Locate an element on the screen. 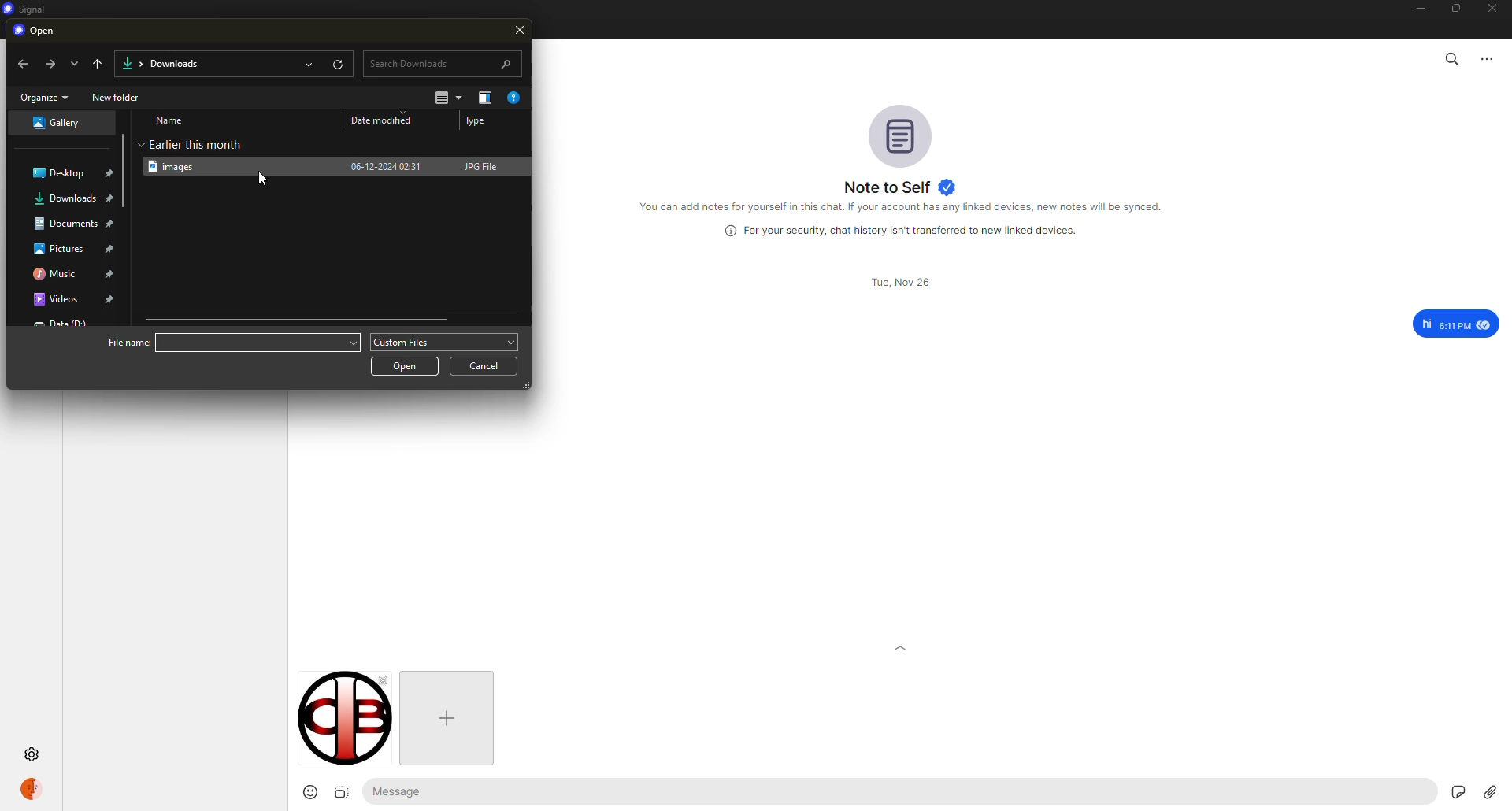 The height and width of the screenshot is (811, 1512). jpg is located at coordinates (484, 165).